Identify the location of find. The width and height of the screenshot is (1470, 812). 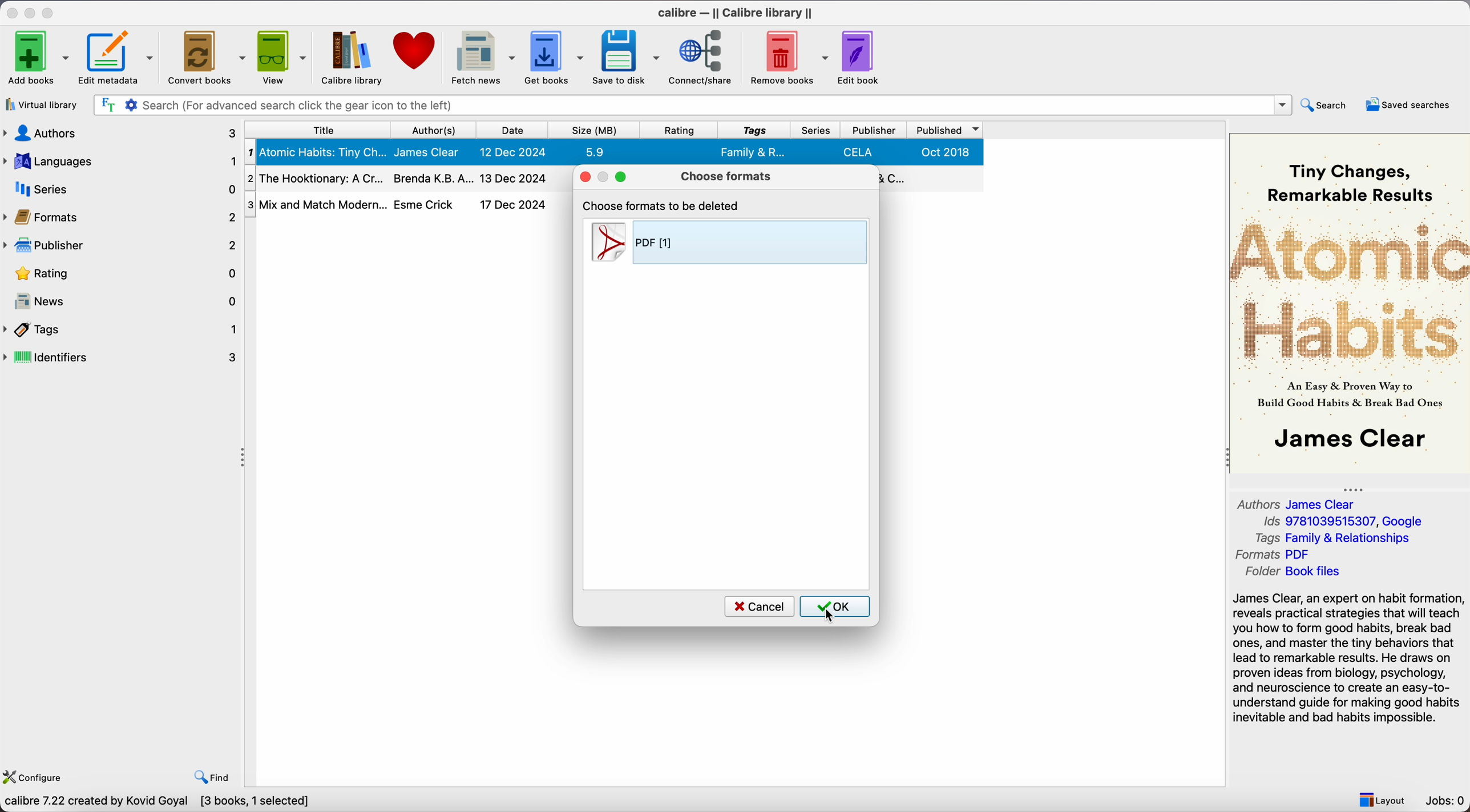
(212, 778).